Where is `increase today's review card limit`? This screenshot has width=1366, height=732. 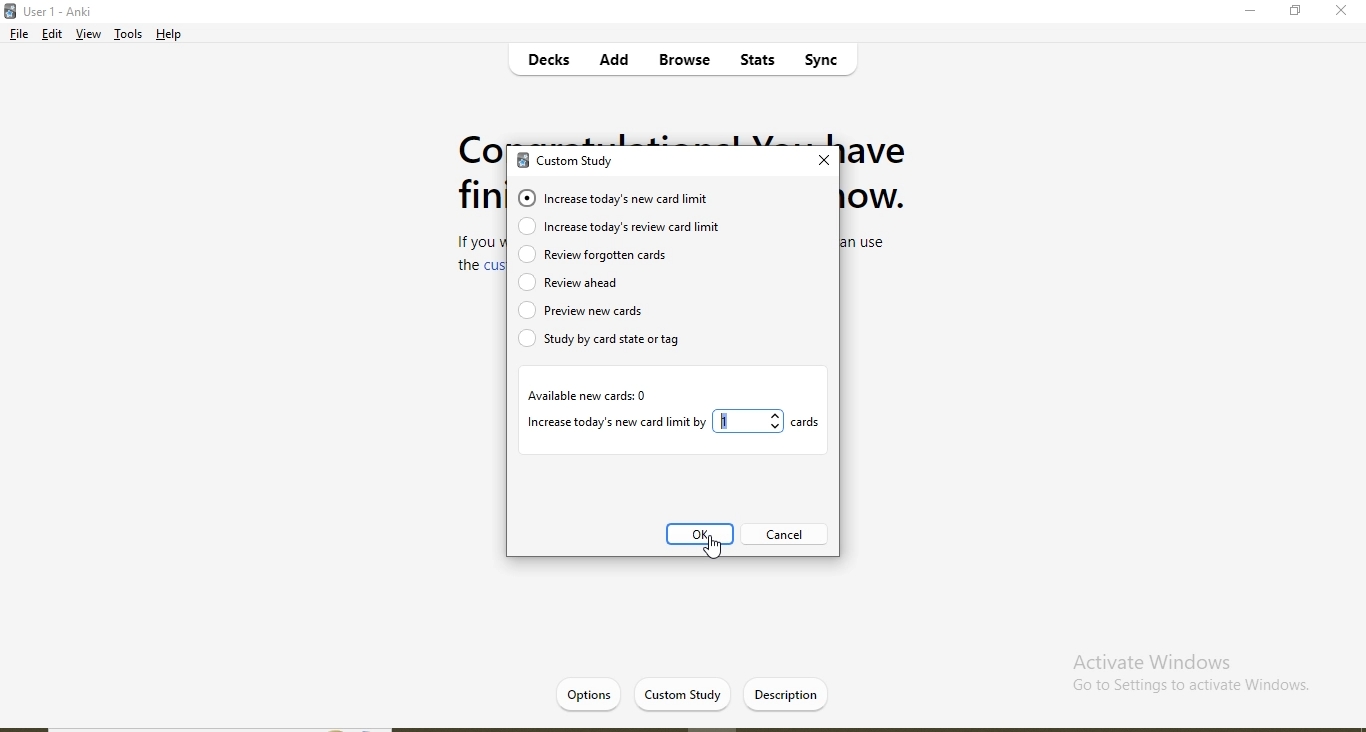 increase today's review card limit is located at coordinates (637, 228).